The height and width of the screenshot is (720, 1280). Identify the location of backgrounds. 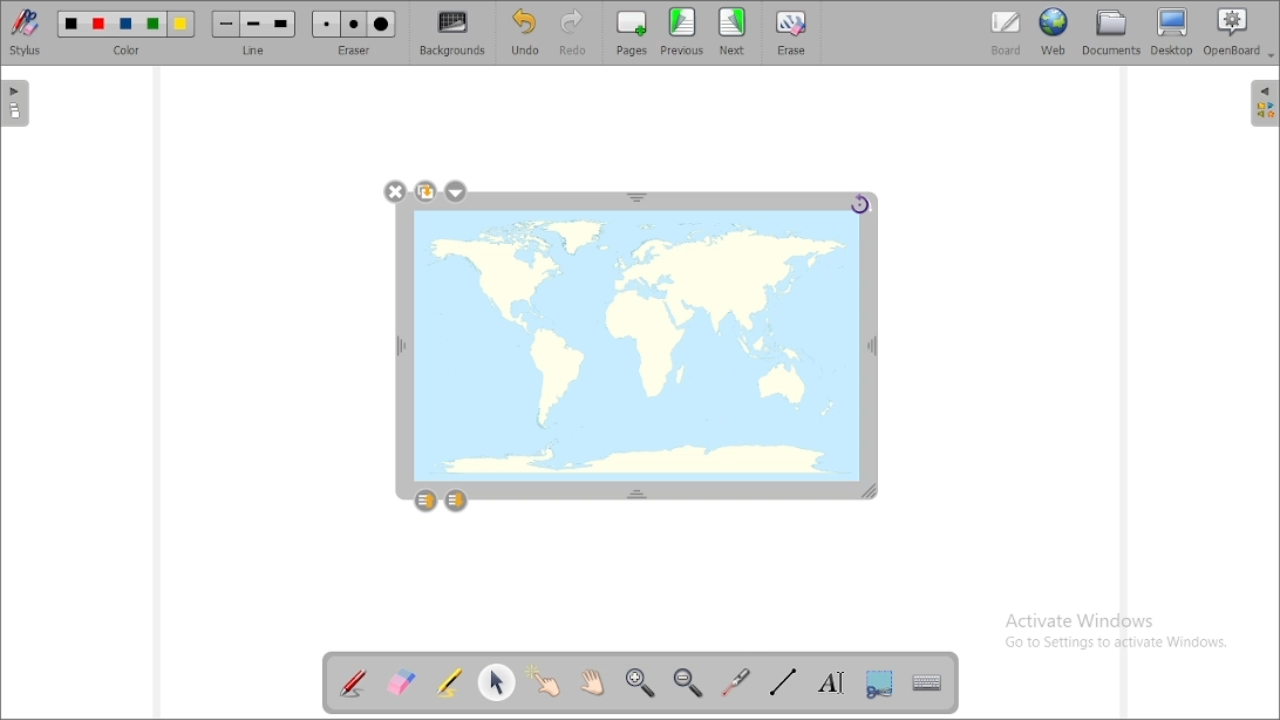
(451, 33).